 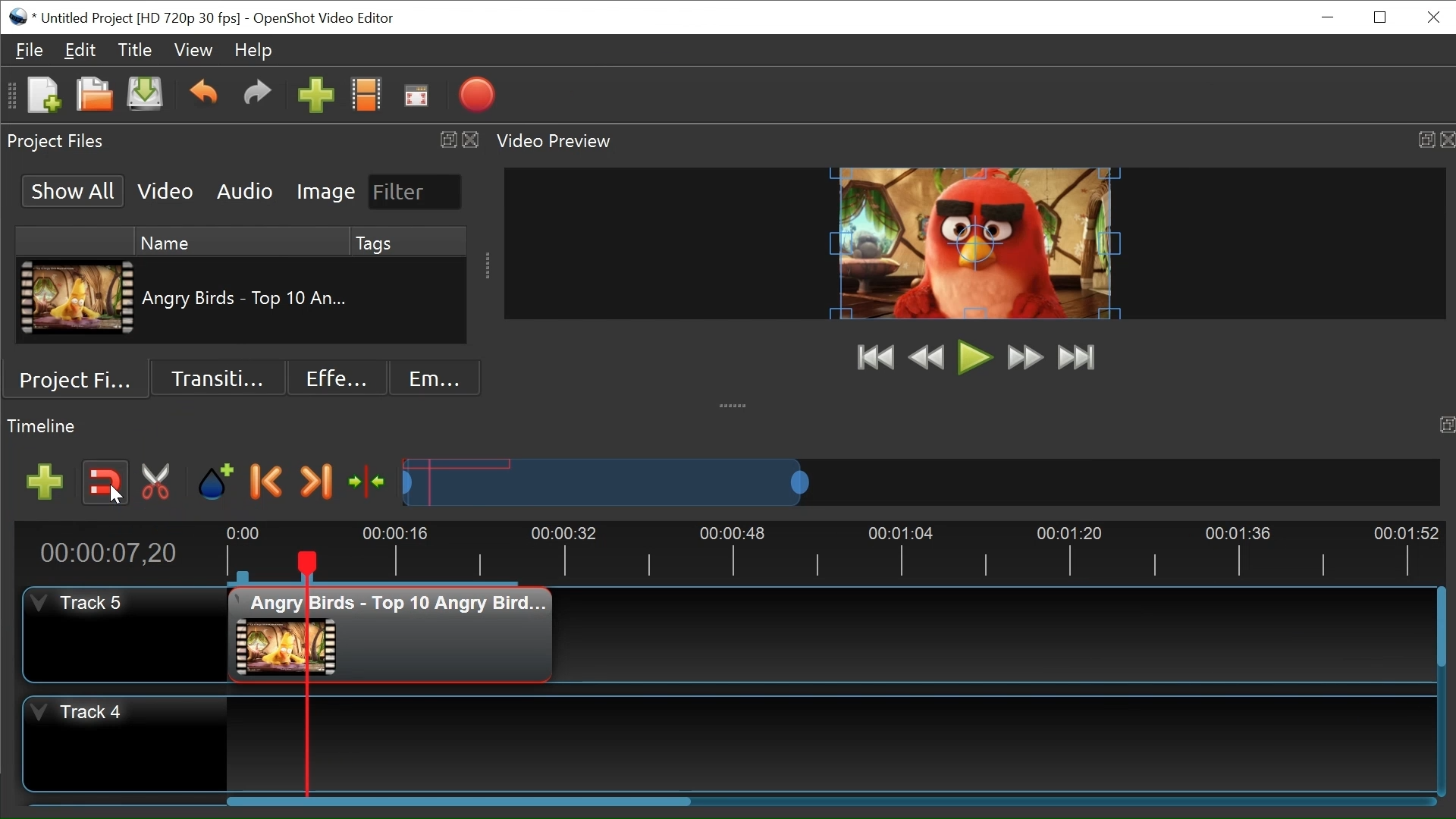 I want to click on Choose Profile, so click(x=366, y=94).